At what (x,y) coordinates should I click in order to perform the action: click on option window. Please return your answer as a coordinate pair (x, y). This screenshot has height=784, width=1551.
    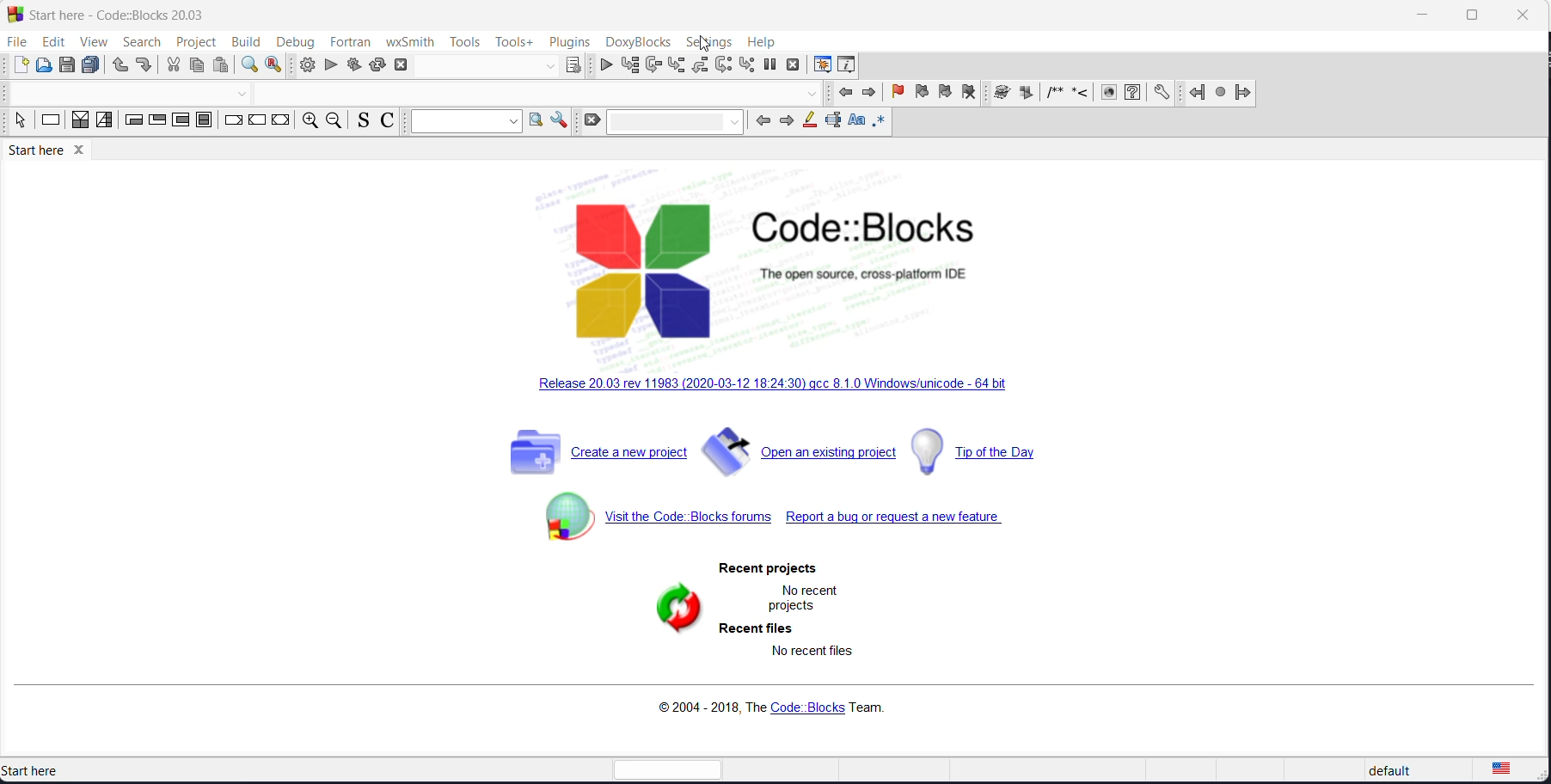
    Looking at the image, I should click on (540, 123).